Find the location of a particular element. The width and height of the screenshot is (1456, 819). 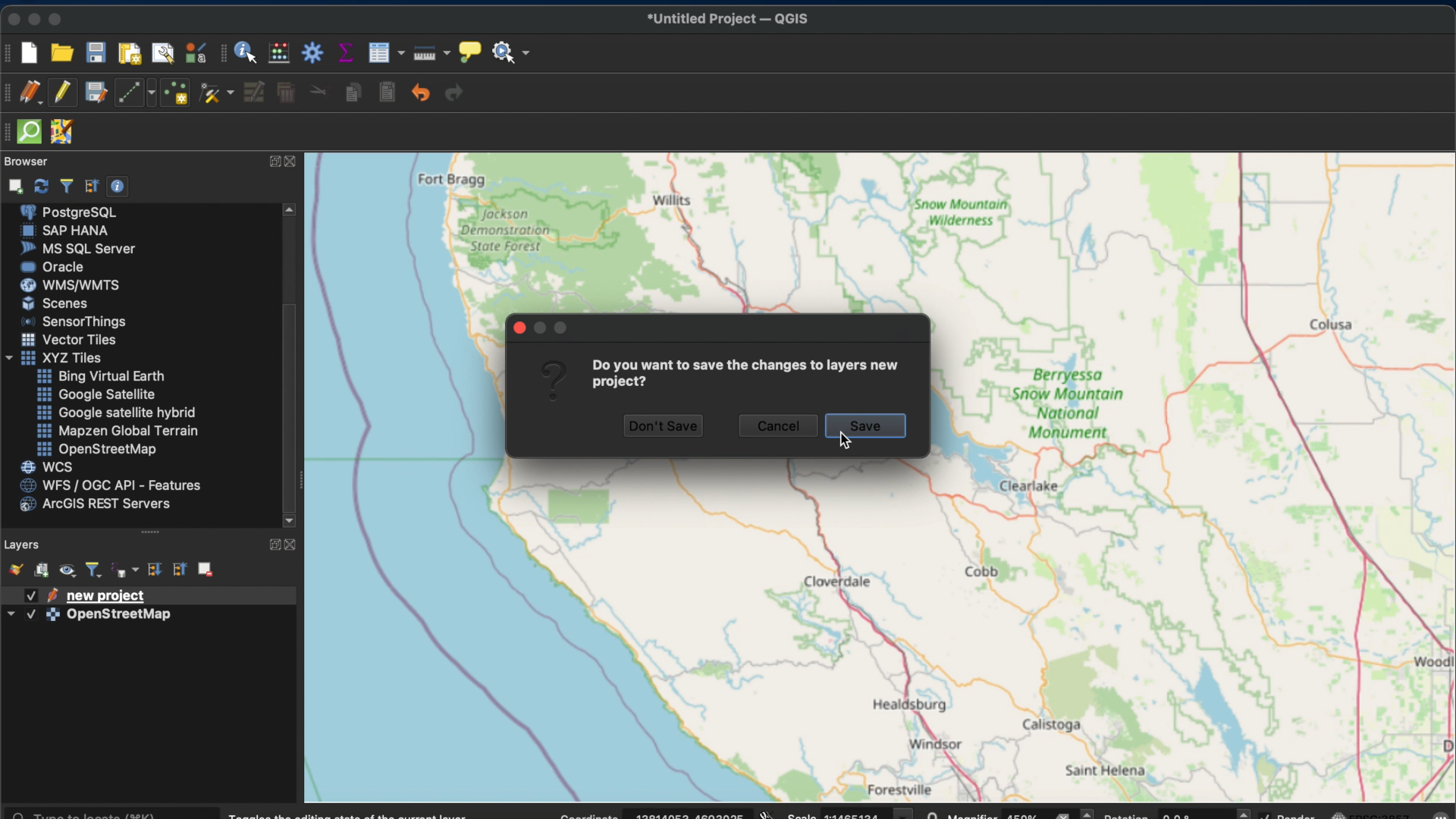

browser is located at coordinates (26, 162).